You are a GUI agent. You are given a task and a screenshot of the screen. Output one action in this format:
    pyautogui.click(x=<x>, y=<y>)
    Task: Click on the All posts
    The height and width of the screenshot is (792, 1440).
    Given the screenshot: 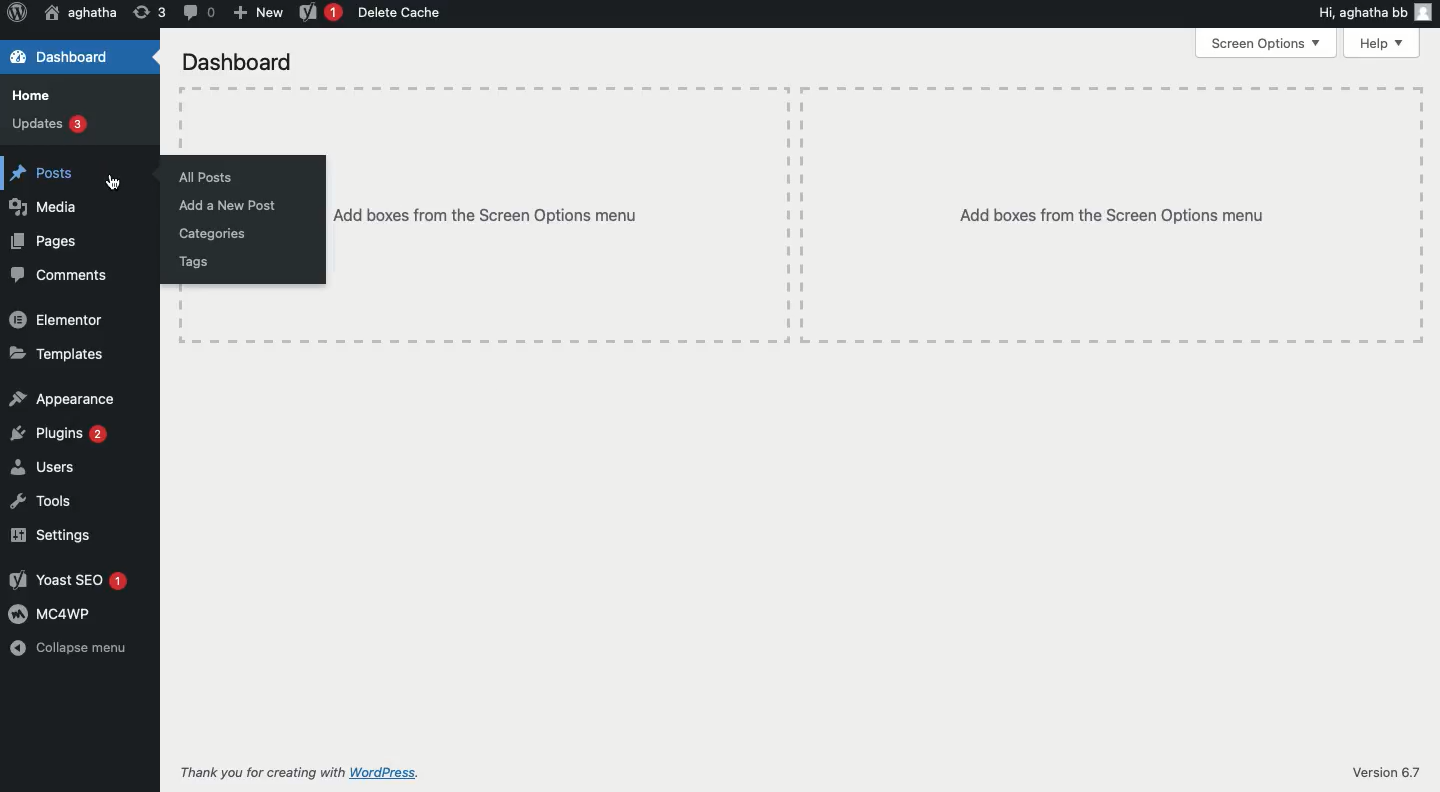 What is the action you would take?
    pyautogui.click(x=198, y=177)
    